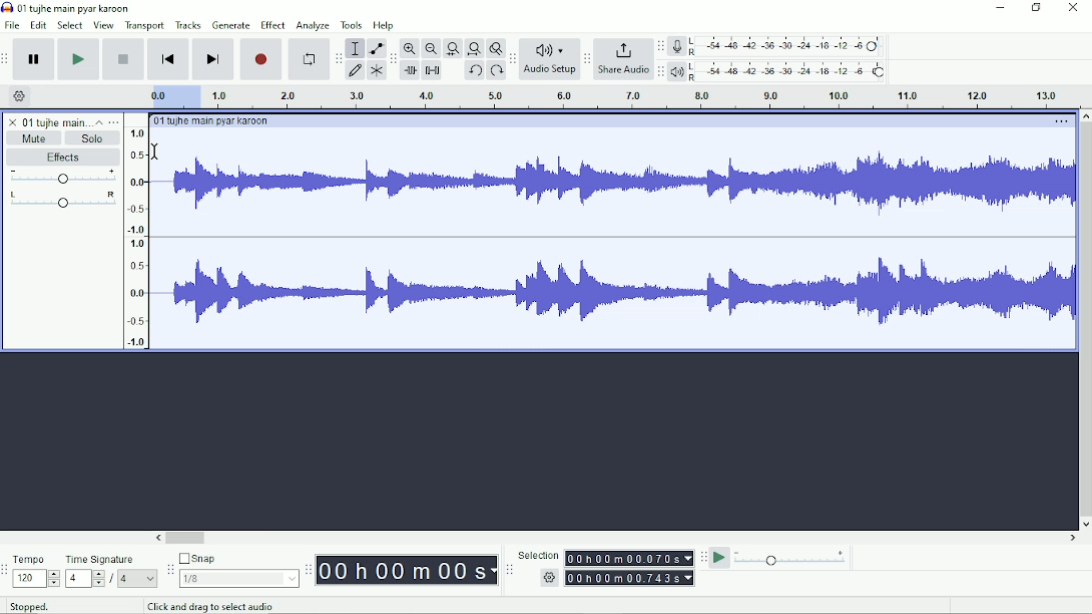 The image size is (1092, 614). I want to click on Audacity tools toolbar, so click(338, 55).